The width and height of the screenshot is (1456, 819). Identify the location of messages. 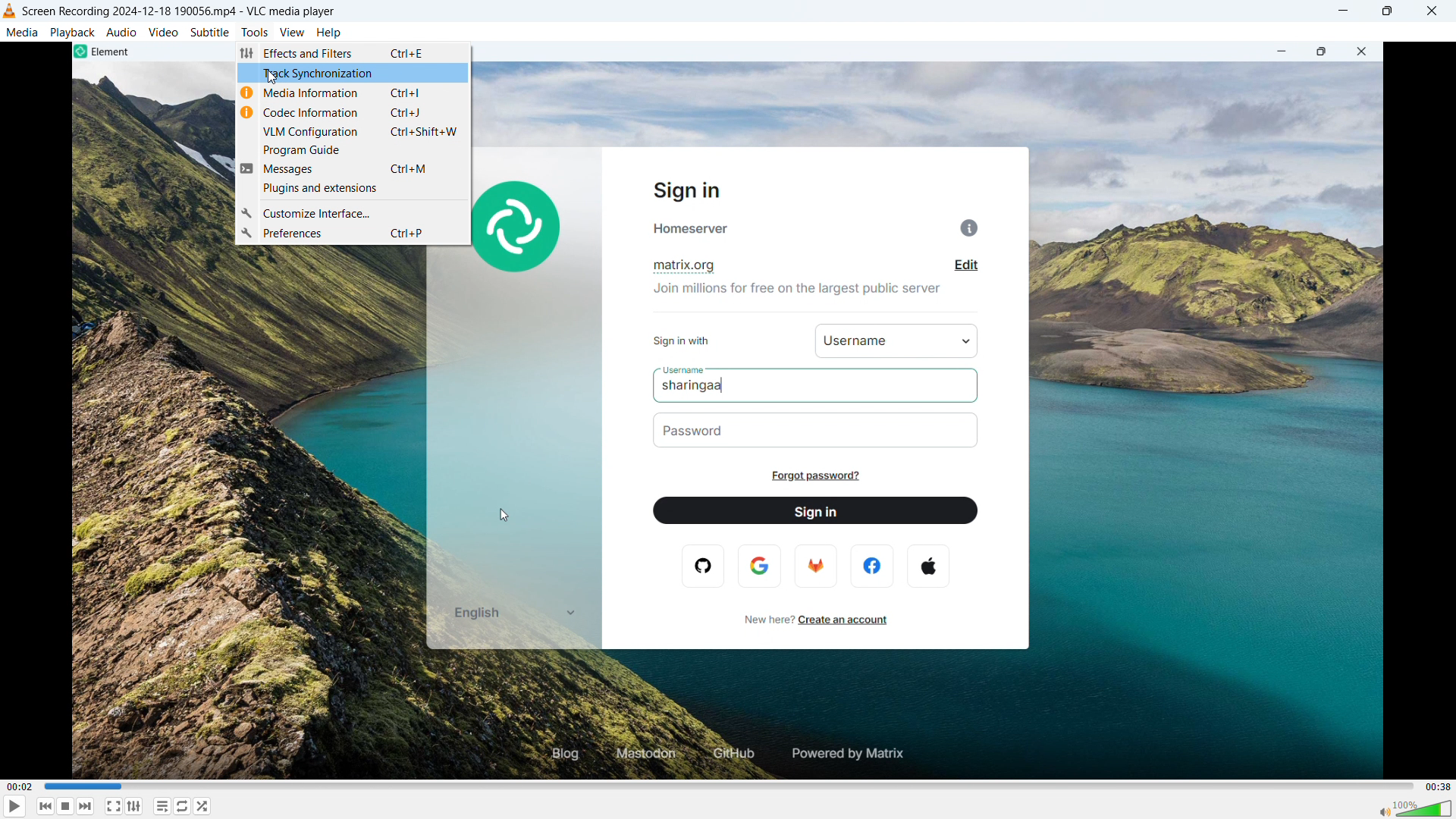
(354, 169).